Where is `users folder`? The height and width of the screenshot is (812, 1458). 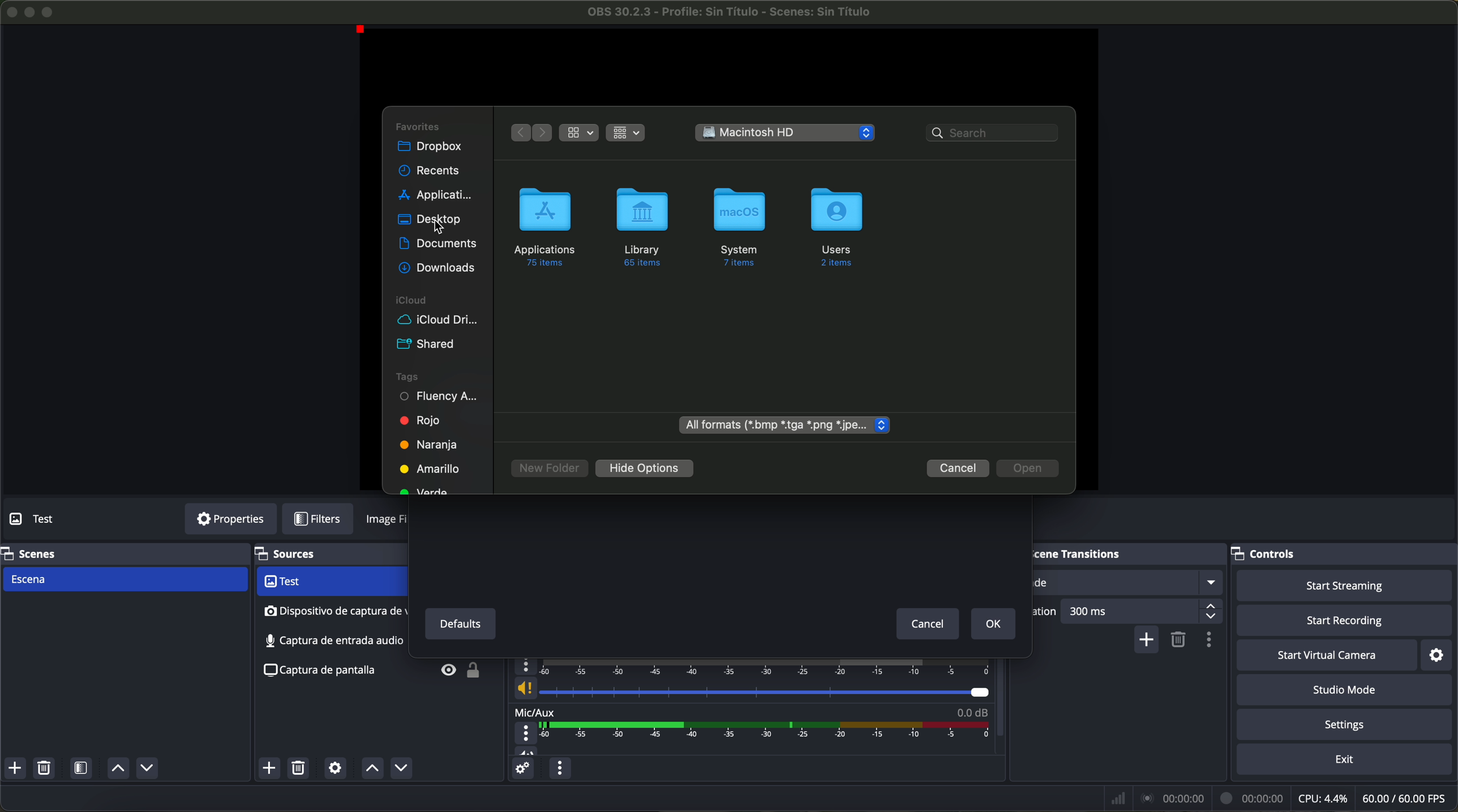
users folder is located at coordinates (837, 229).